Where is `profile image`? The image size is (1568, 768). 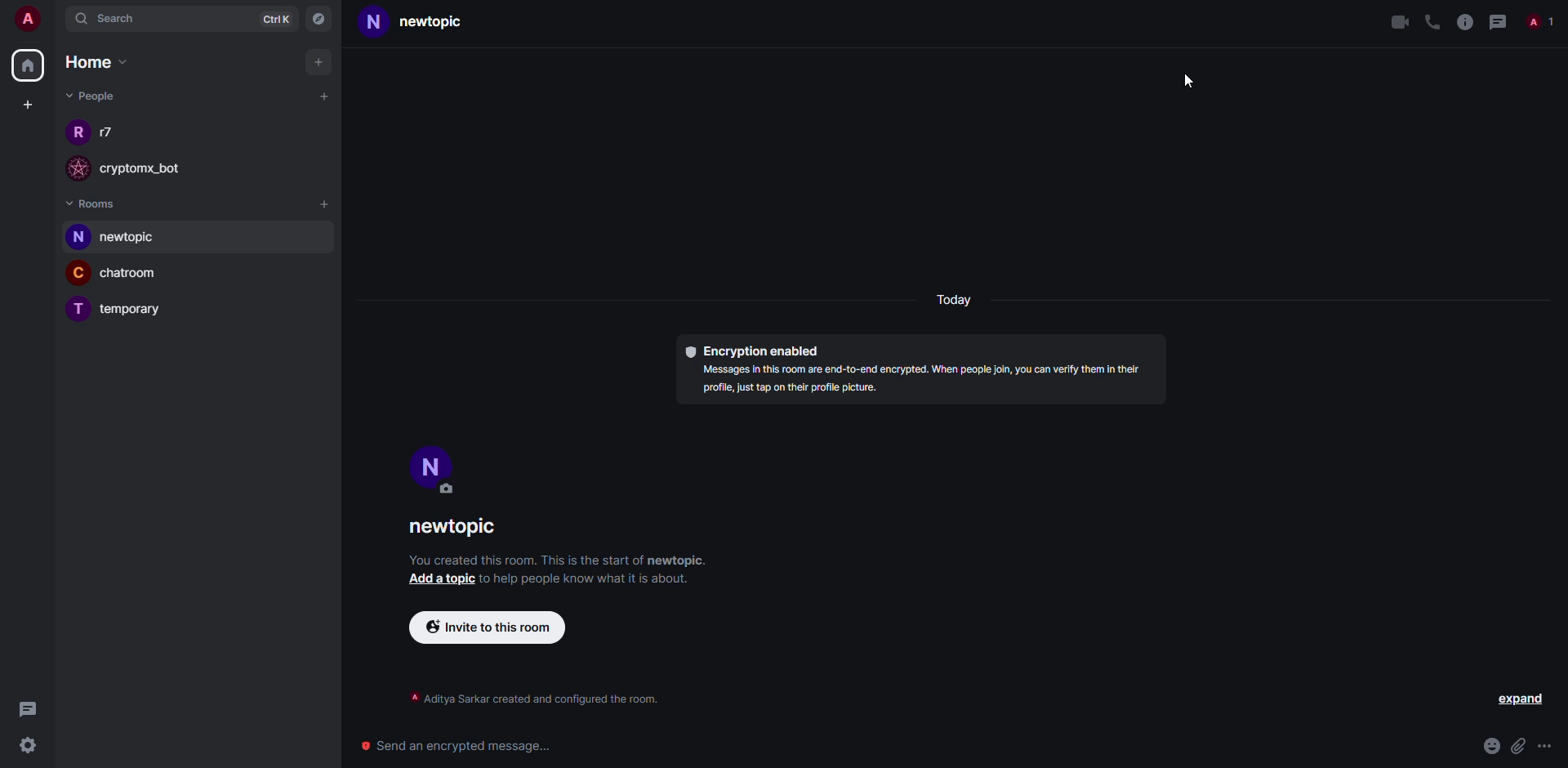
profile image is located at coordinates (74, 311).